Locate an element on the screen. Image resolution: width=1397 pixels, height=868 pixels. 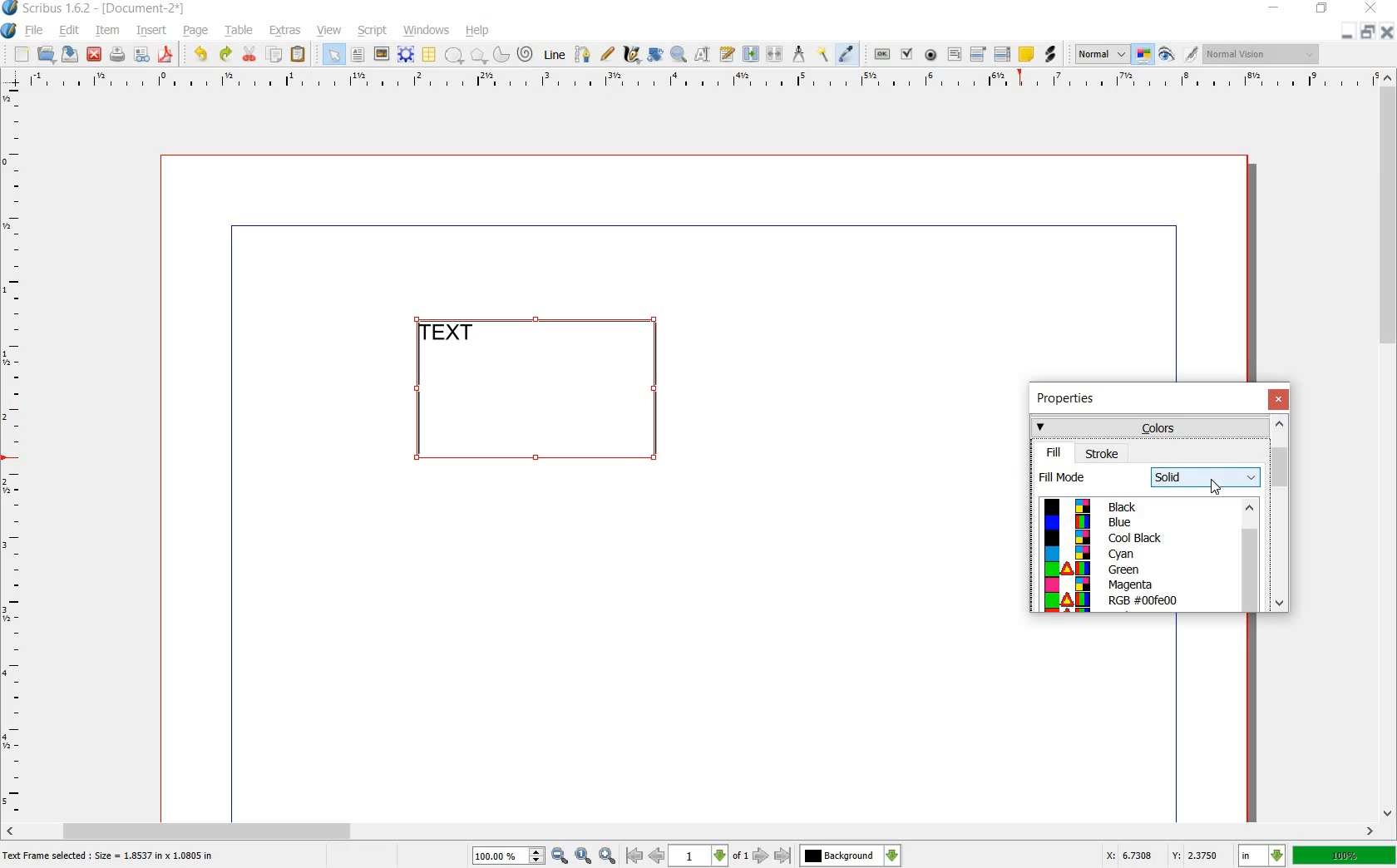
cool black is located at coordinates (1134, 538).